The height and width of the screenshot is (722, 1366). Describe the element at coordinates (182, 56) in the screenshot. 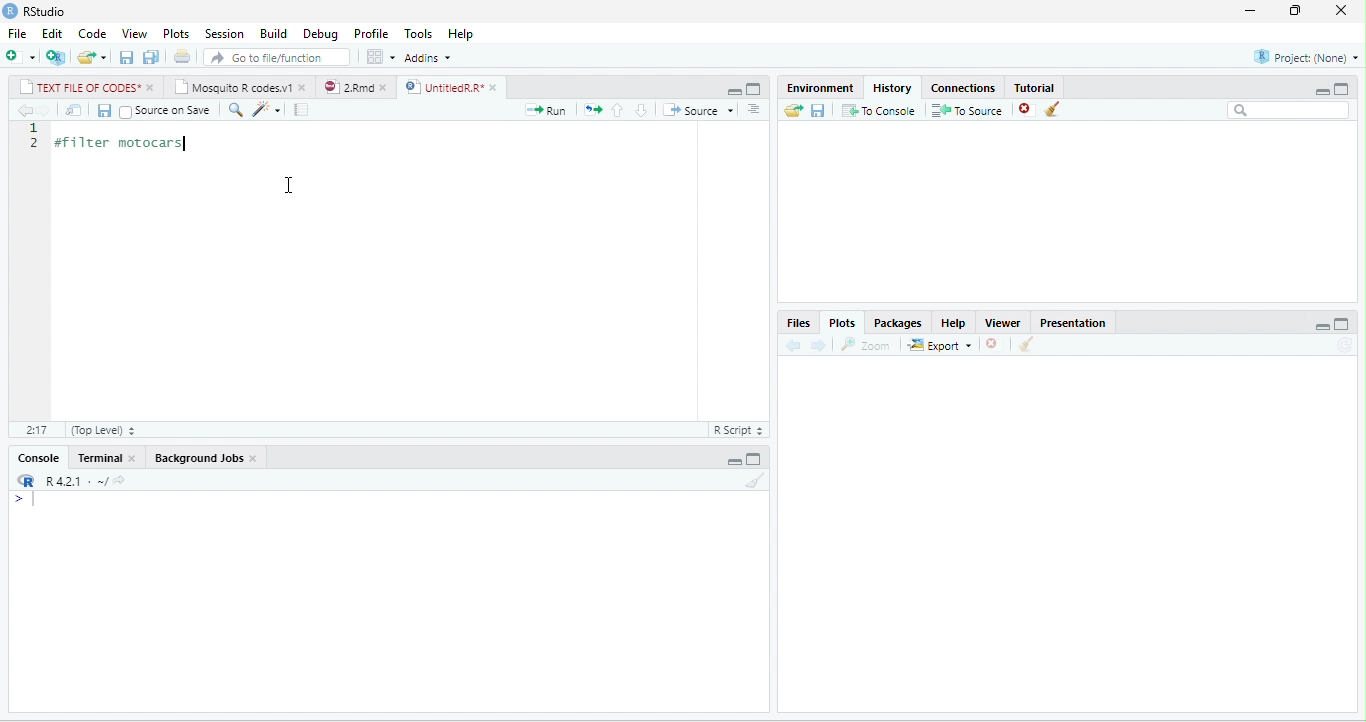

I see `print` at that location.